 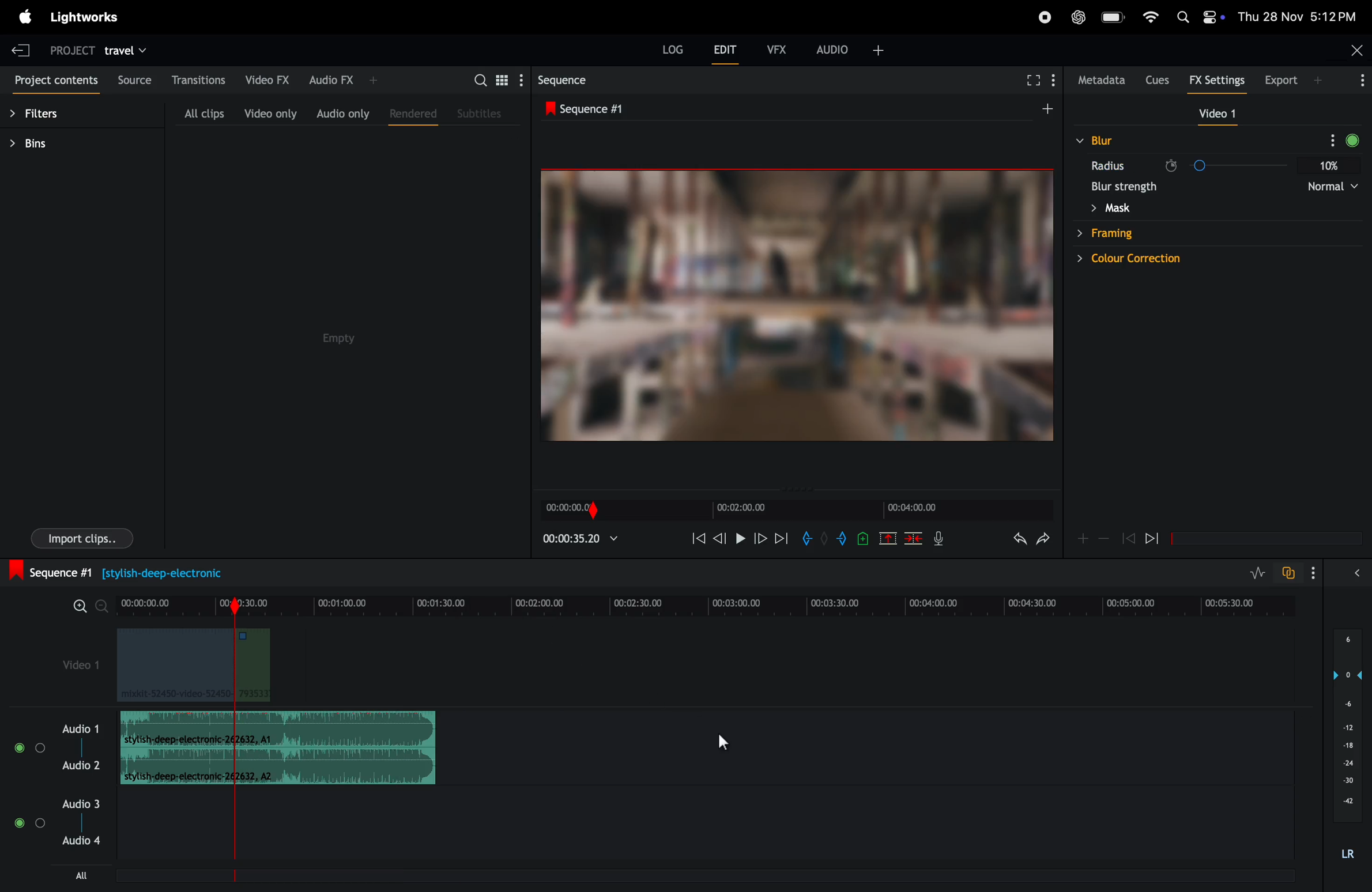 What do you see at coordinates (1252, 572) in the screenshot?
I see `toggle audio level editing` at bounding box center [1252, 572].